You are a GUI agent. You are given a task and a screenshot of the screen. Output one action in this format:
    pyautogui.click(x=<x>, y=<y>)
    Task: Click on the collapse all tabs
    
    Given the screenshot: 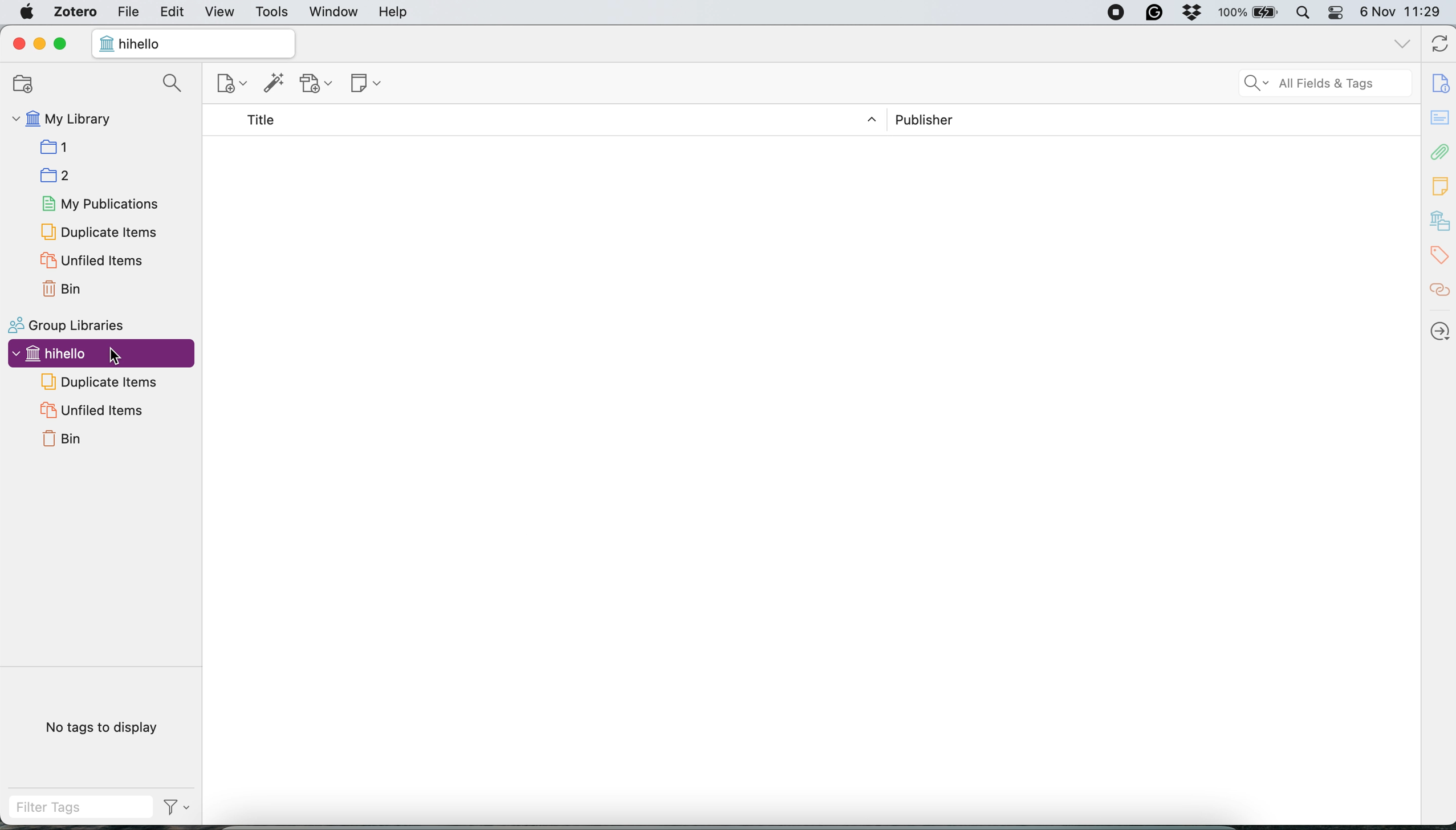 What is the action you would take?
    pyautogui.click(x=1401, y=43)
    